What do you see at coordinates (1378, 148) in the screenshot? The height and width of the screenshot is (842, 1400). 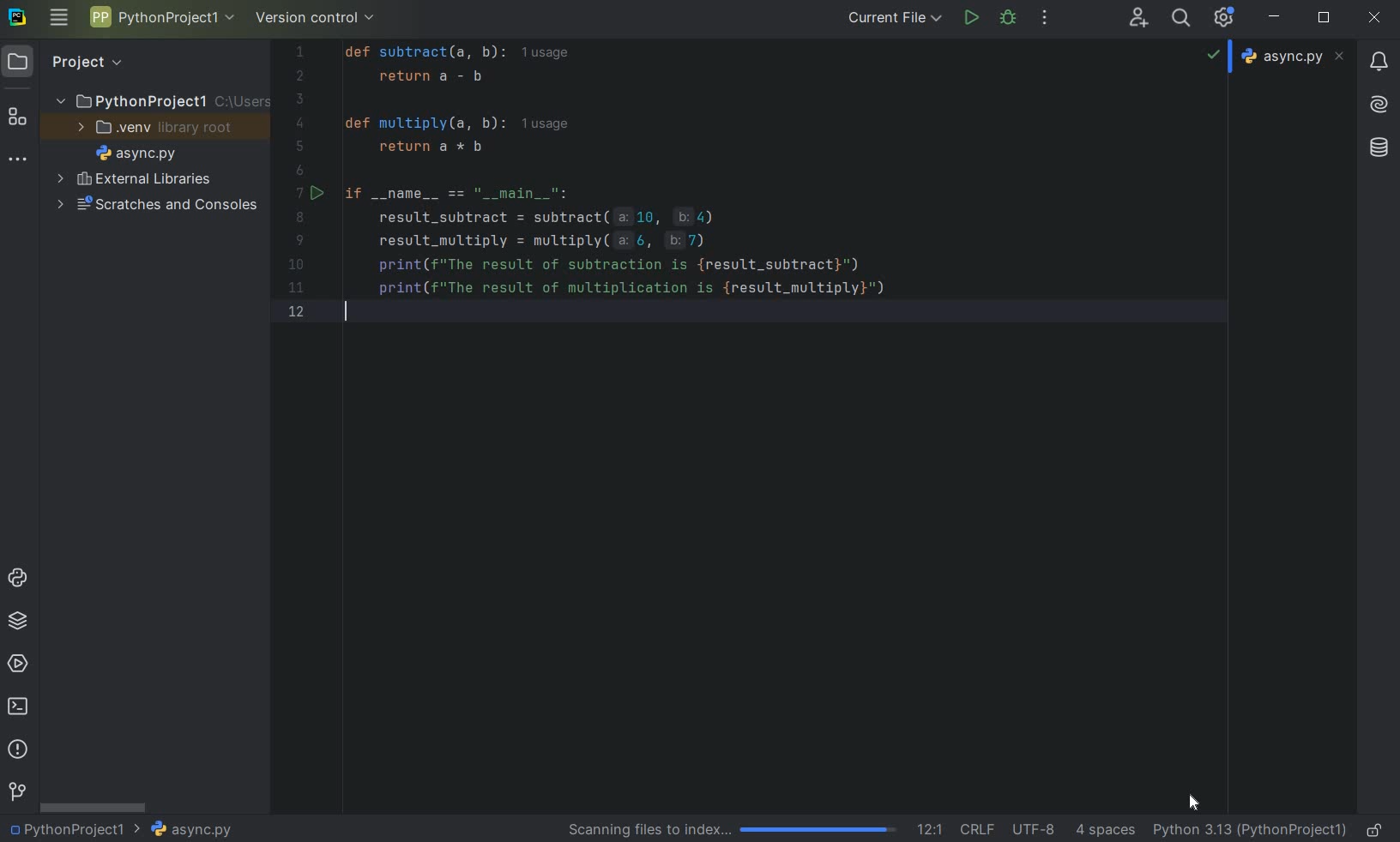 I see `database` at bounding box center [1378, 148].